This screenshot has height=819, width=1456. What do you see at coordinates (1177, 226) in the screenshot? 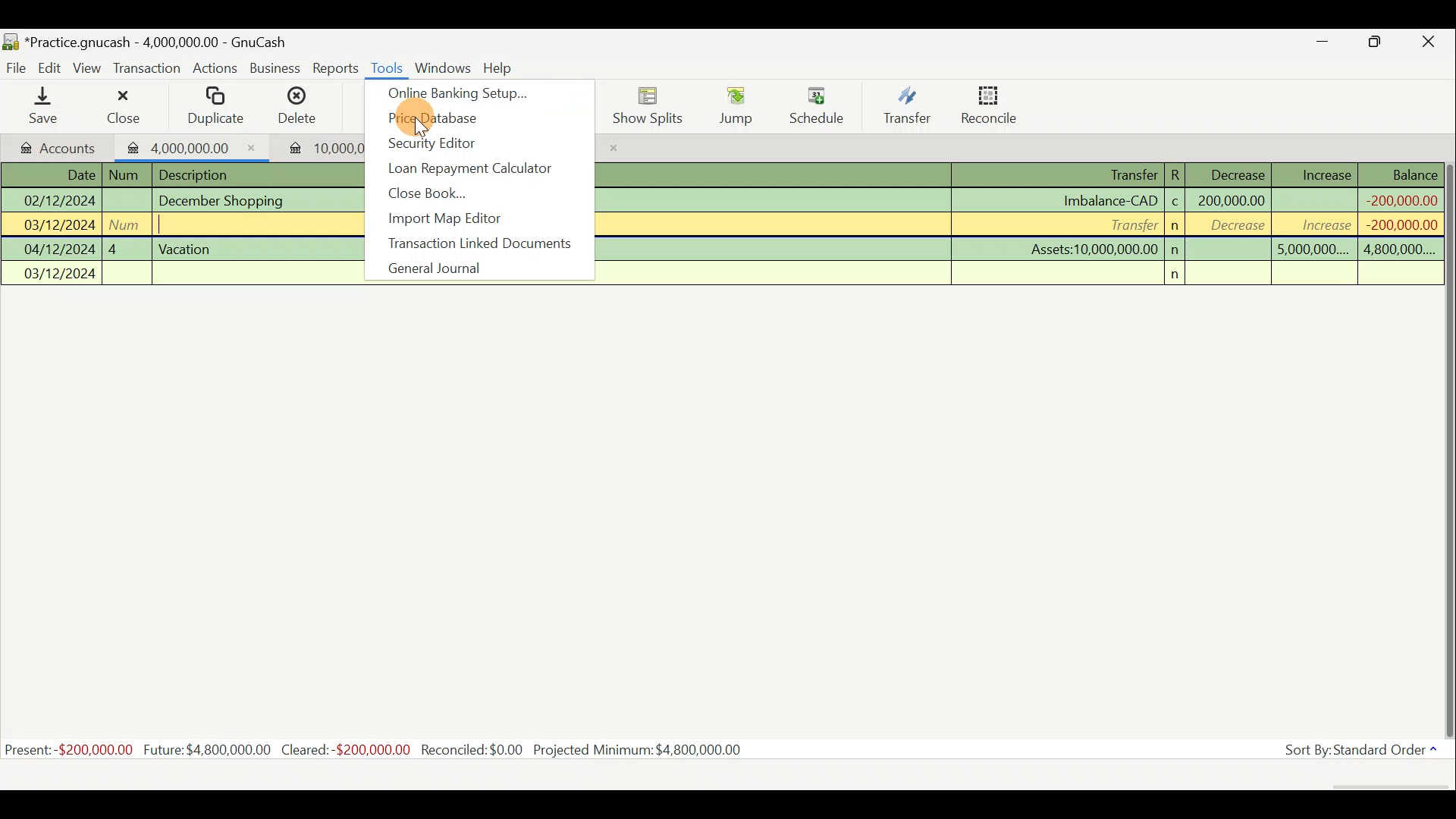
I see `n` at bounding box center [1177, 226].